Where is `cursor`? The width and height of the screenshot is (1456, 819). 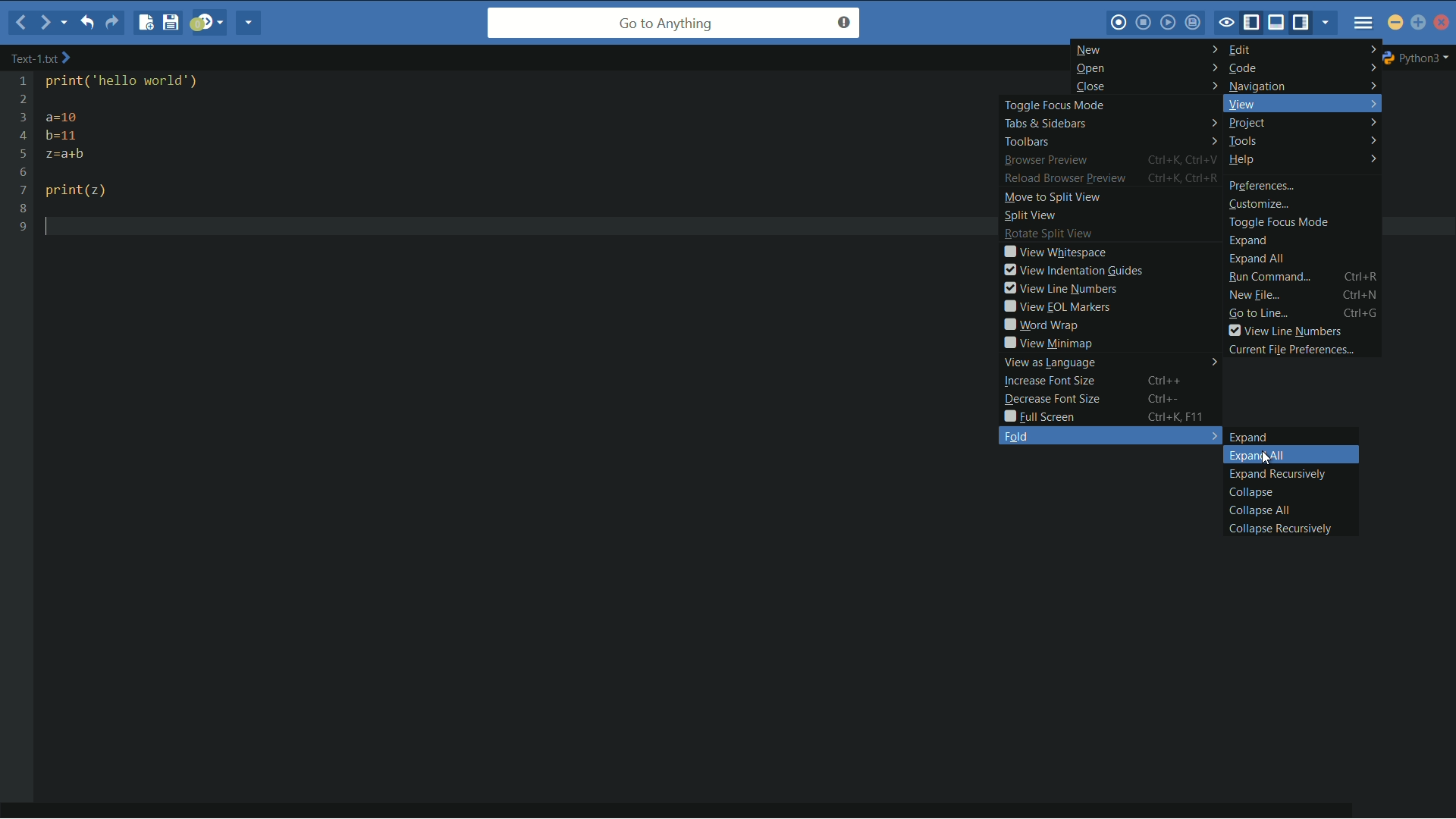 cursor is located at coordinates (1270, 462).